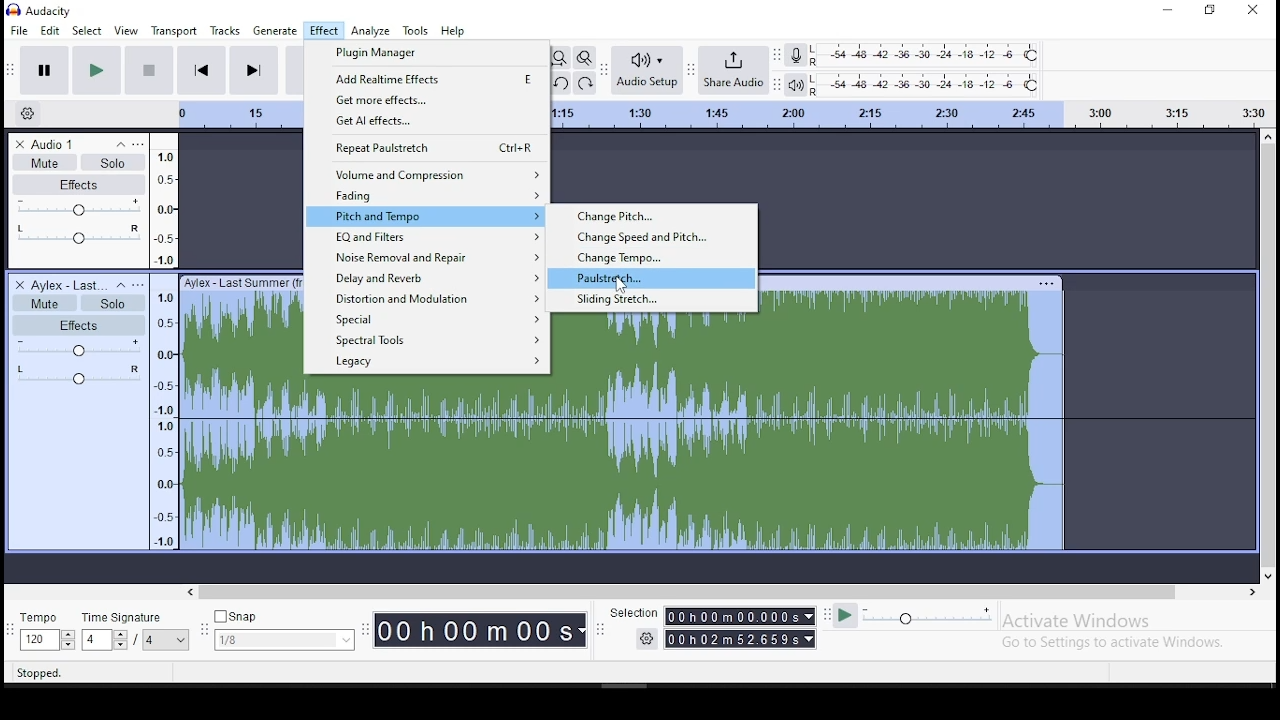 The image size is (1280, 720). What do you see at coordinates (651, 237) in the screenshot?
I see `change speed and pitch` at bounding box center [651, 237].